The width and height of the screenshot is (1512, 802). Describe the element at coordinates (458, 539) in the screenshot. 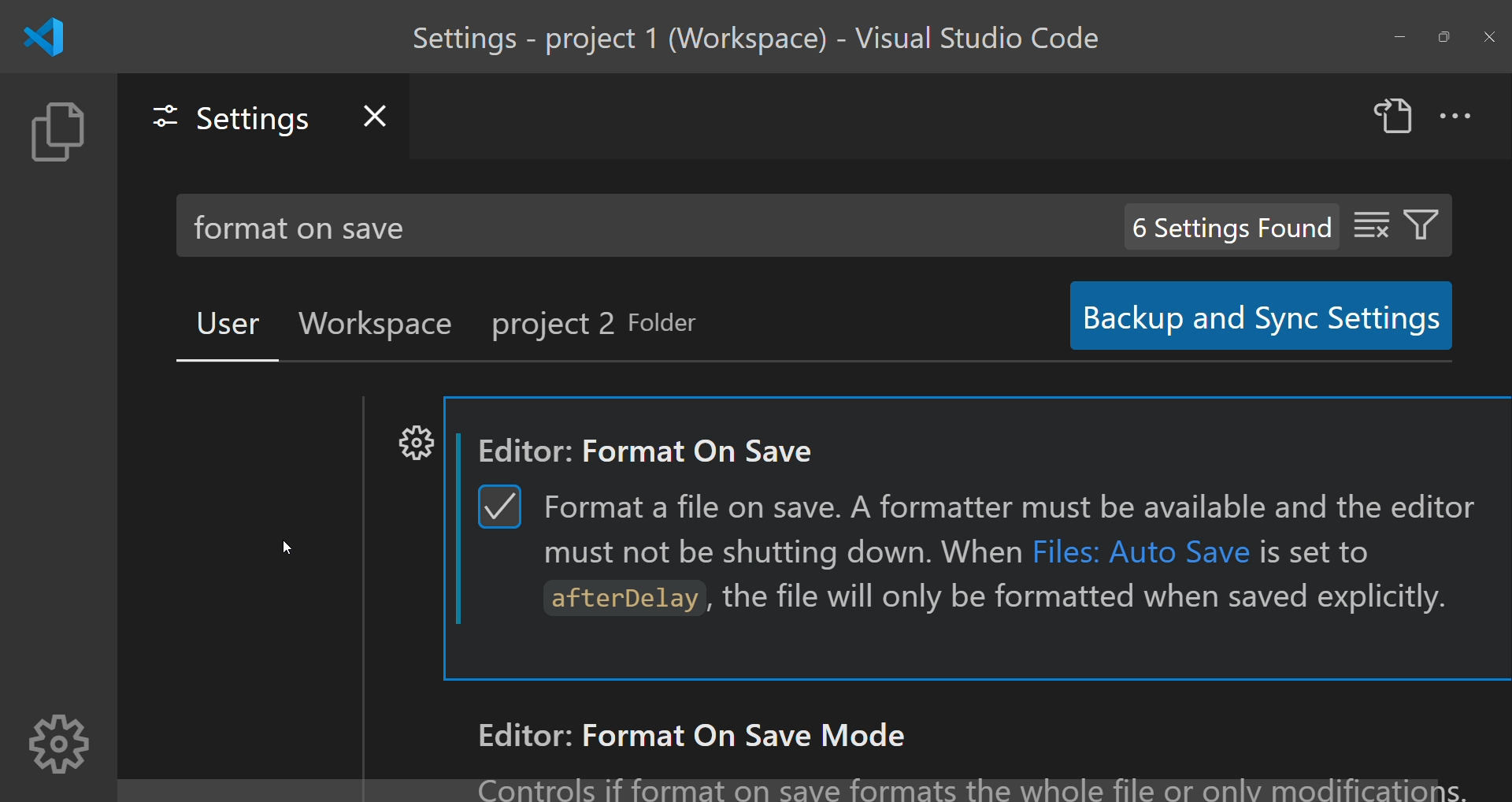

I see `scroll bar` at that location.